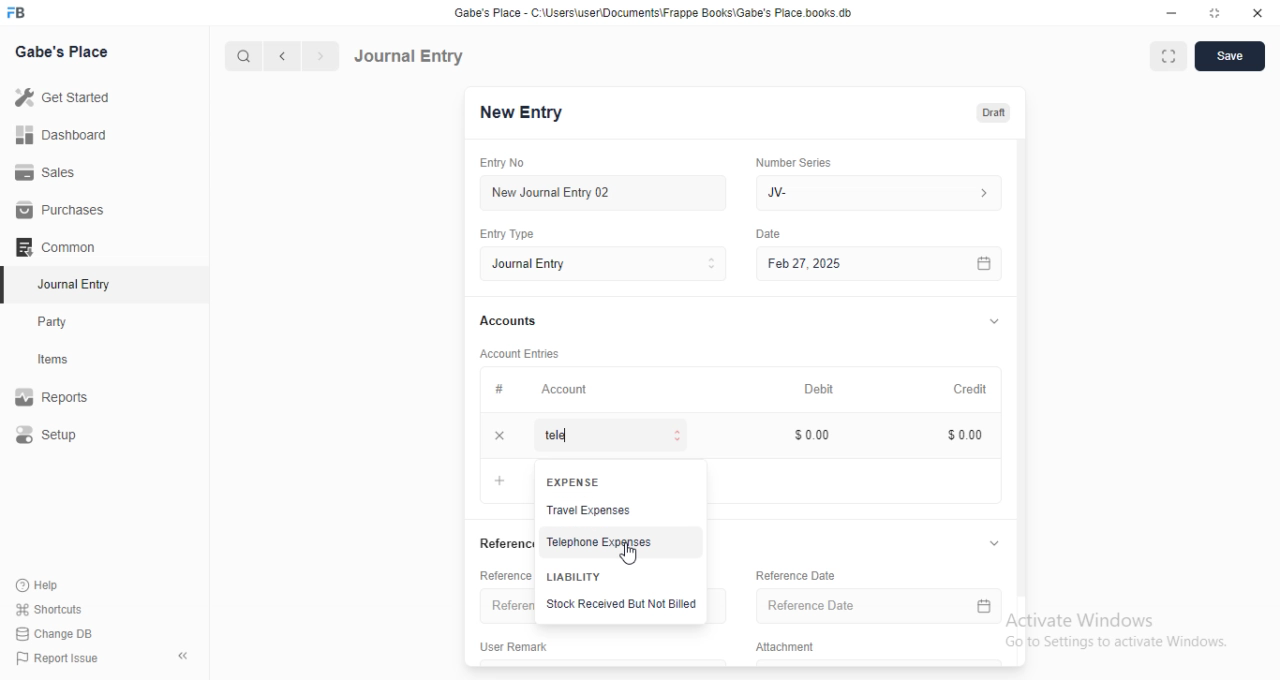 The width and height of the screenshot is (1280, 680). What do you see at coordinates (319, 56) in the screenshot?
I see `Next` at bounding box center [319, 56].